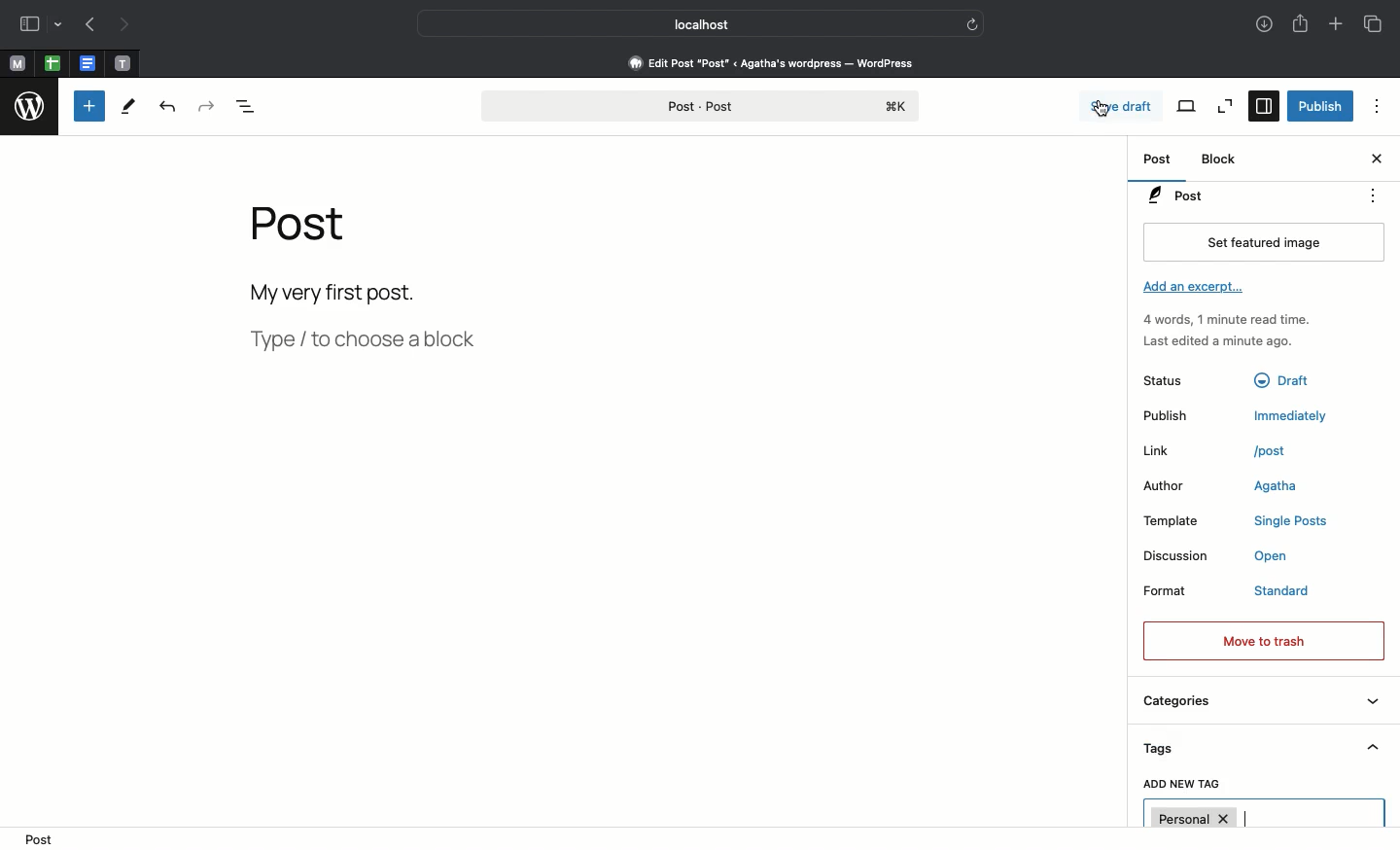  I want to click on Publish, so click(1319, 105).